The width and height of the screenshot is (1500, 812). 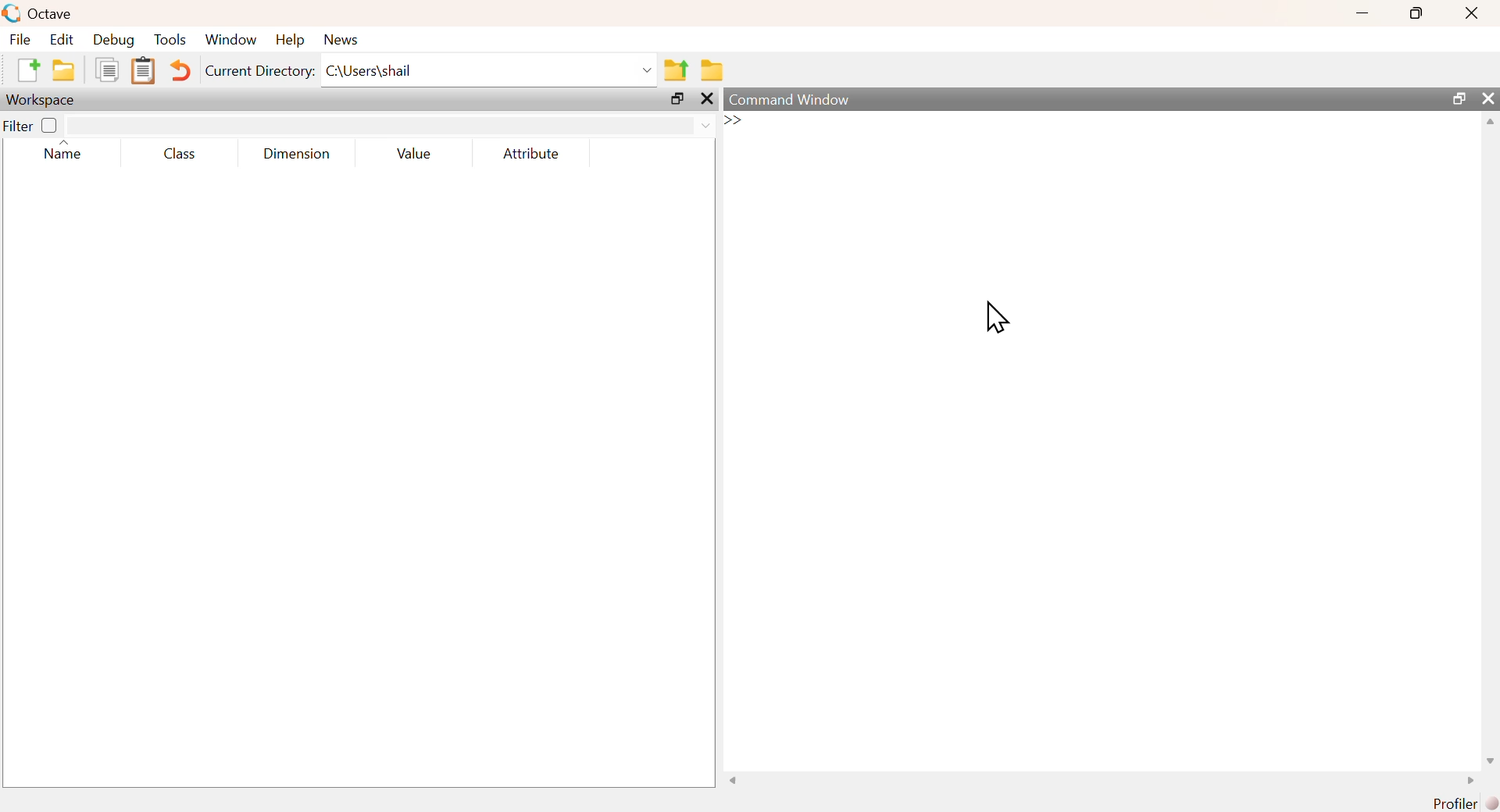 What do you see at coordinates (645, 69) in the screenshot?
I see `dropdown` at bounding box center [645, 69].